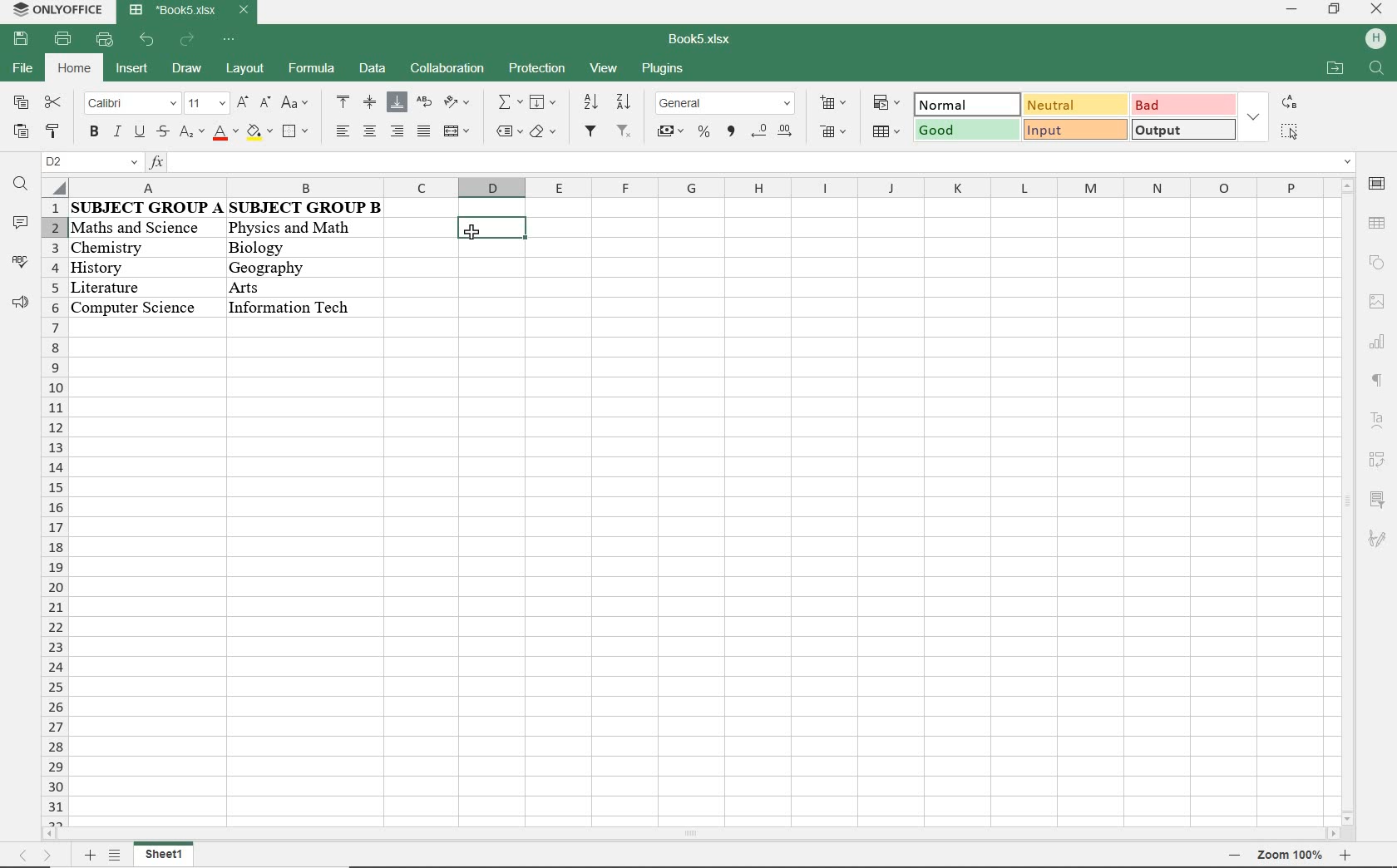 The height and width of the screenshot is (868, 1397). Describe the element at coordinates (952, 836) in the screenshot. I see `scrollbar` at that location.